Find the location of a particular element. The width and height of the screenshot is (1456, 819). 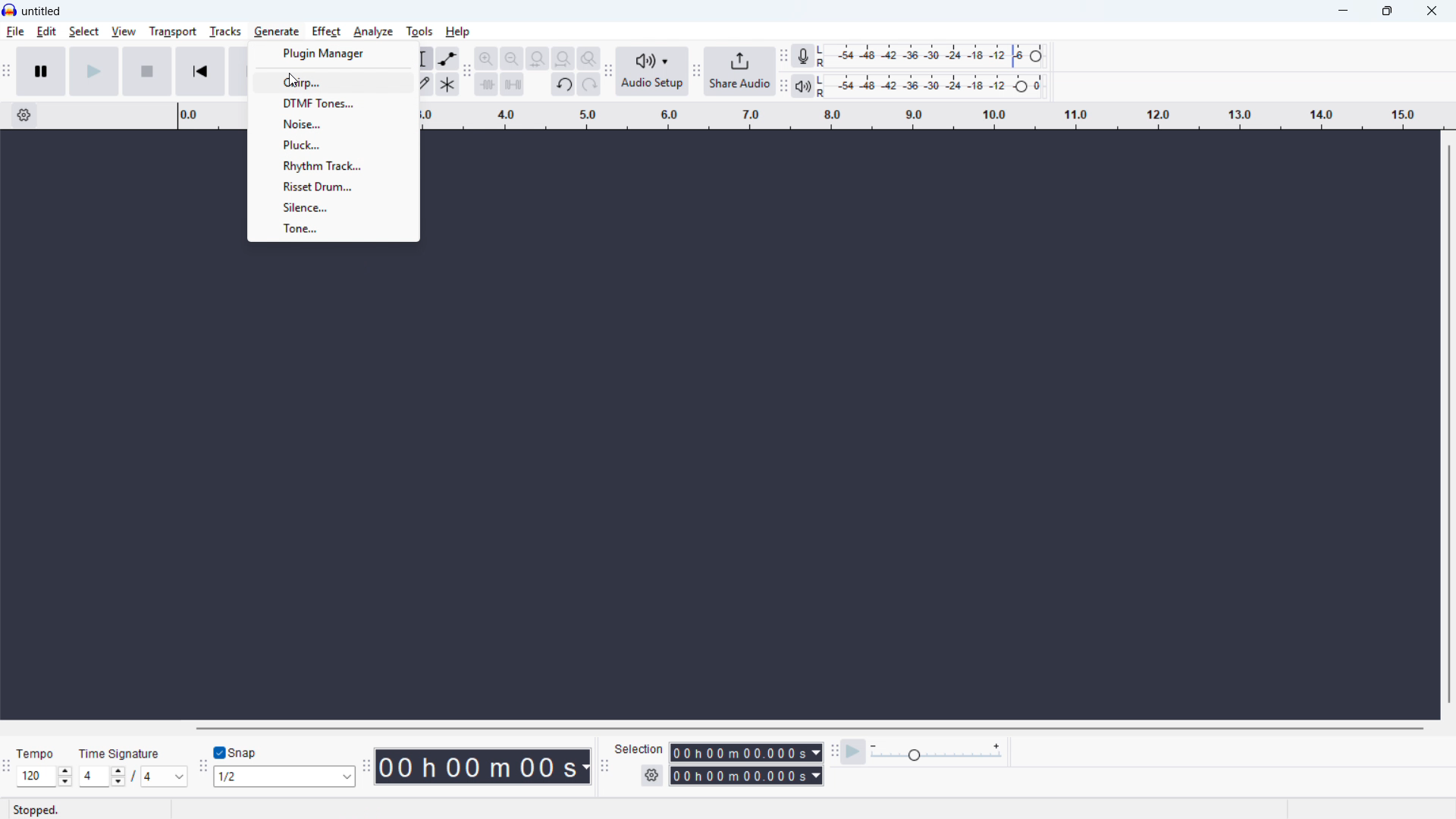

Edit  is located at coordinates (47, 32).